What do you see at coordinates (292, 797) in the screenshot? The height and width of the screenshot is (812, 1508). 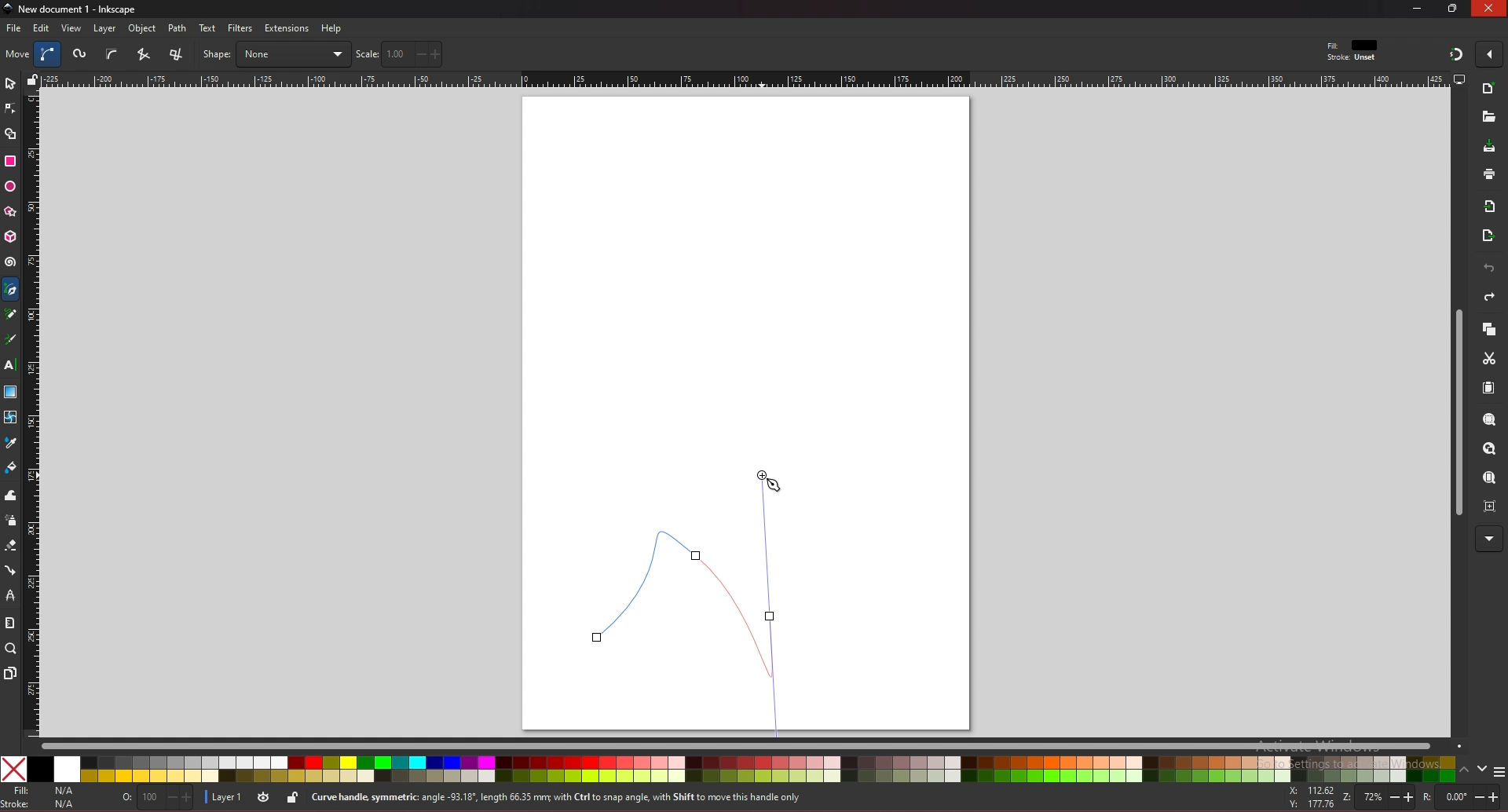 I see `lock` at bounding box center [292, 797].